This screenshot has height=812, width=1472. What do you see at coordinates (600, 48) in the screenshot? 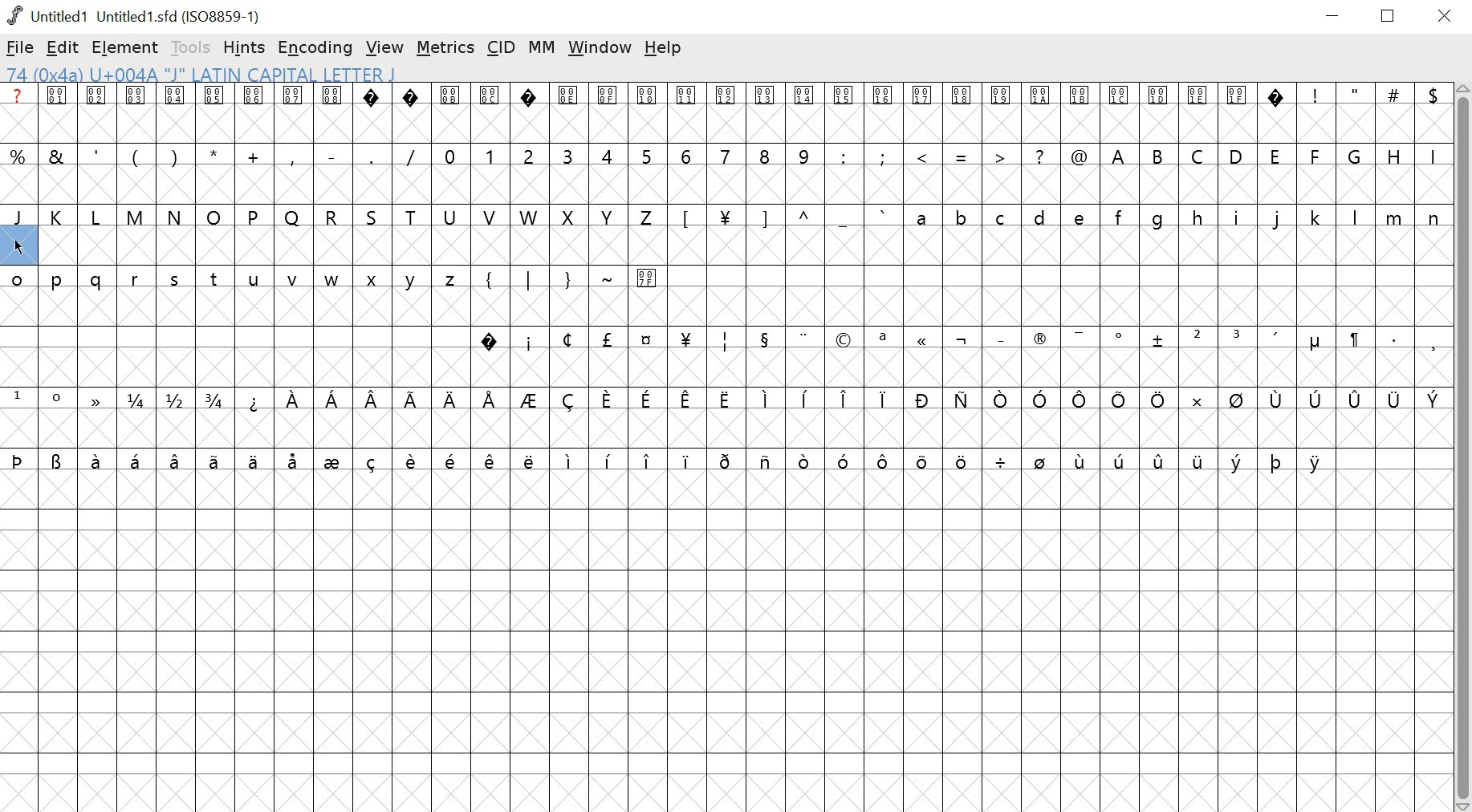
I see `window` at bounding box center [600, 48].